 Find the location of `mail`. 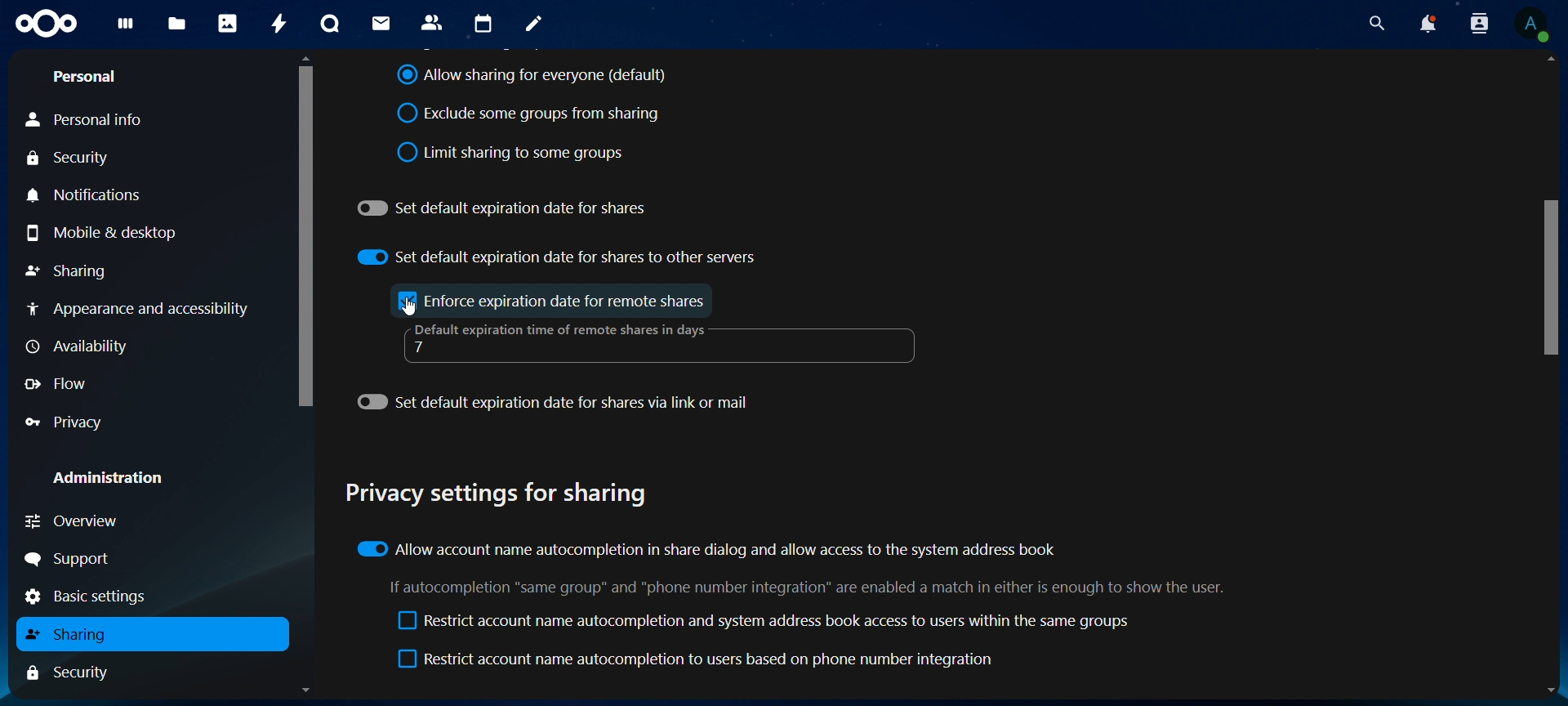

mail is located at coordinates (381, 21).